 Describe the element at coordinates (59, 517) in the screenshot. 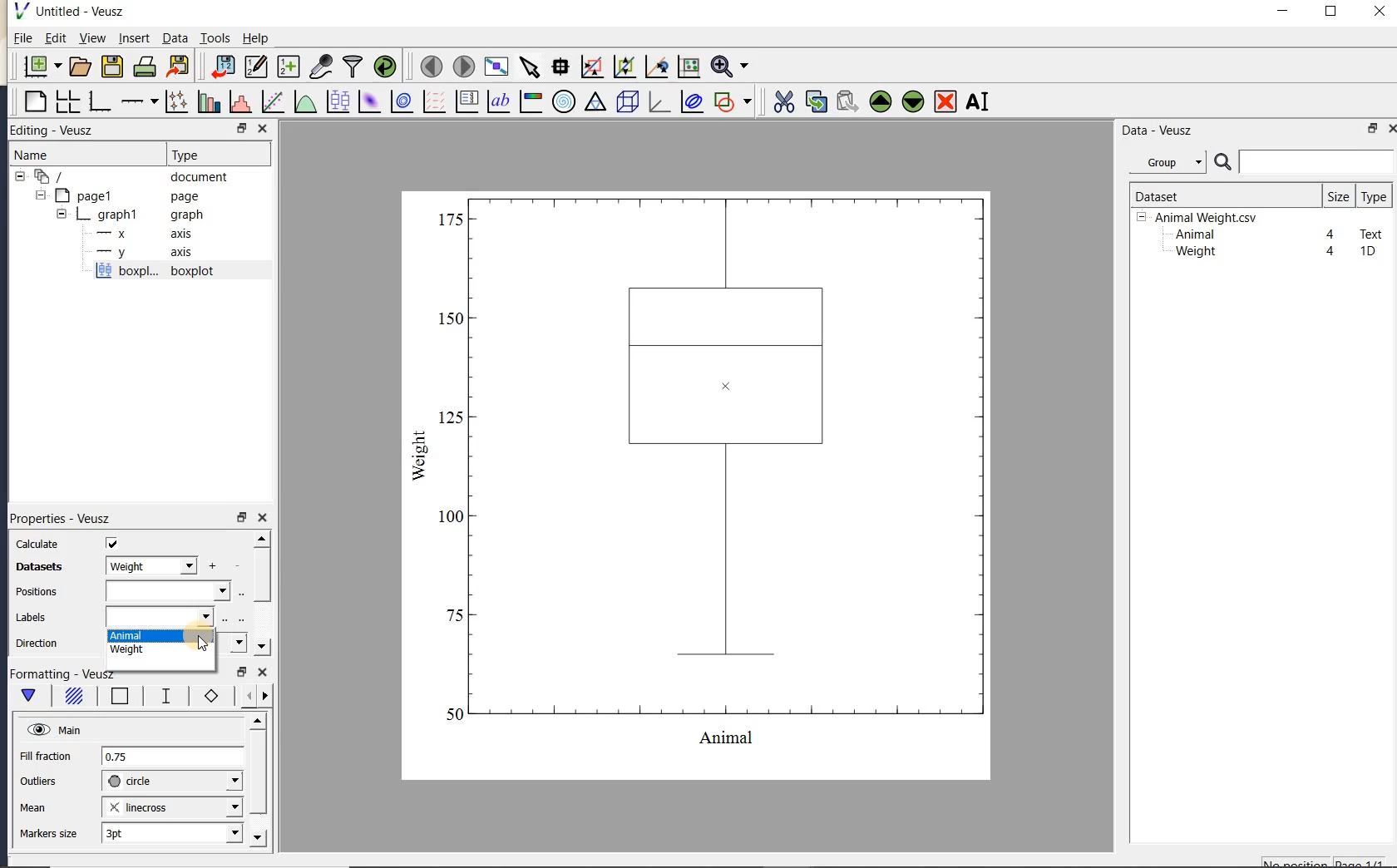

I see `Properties - Veusz` at that location.